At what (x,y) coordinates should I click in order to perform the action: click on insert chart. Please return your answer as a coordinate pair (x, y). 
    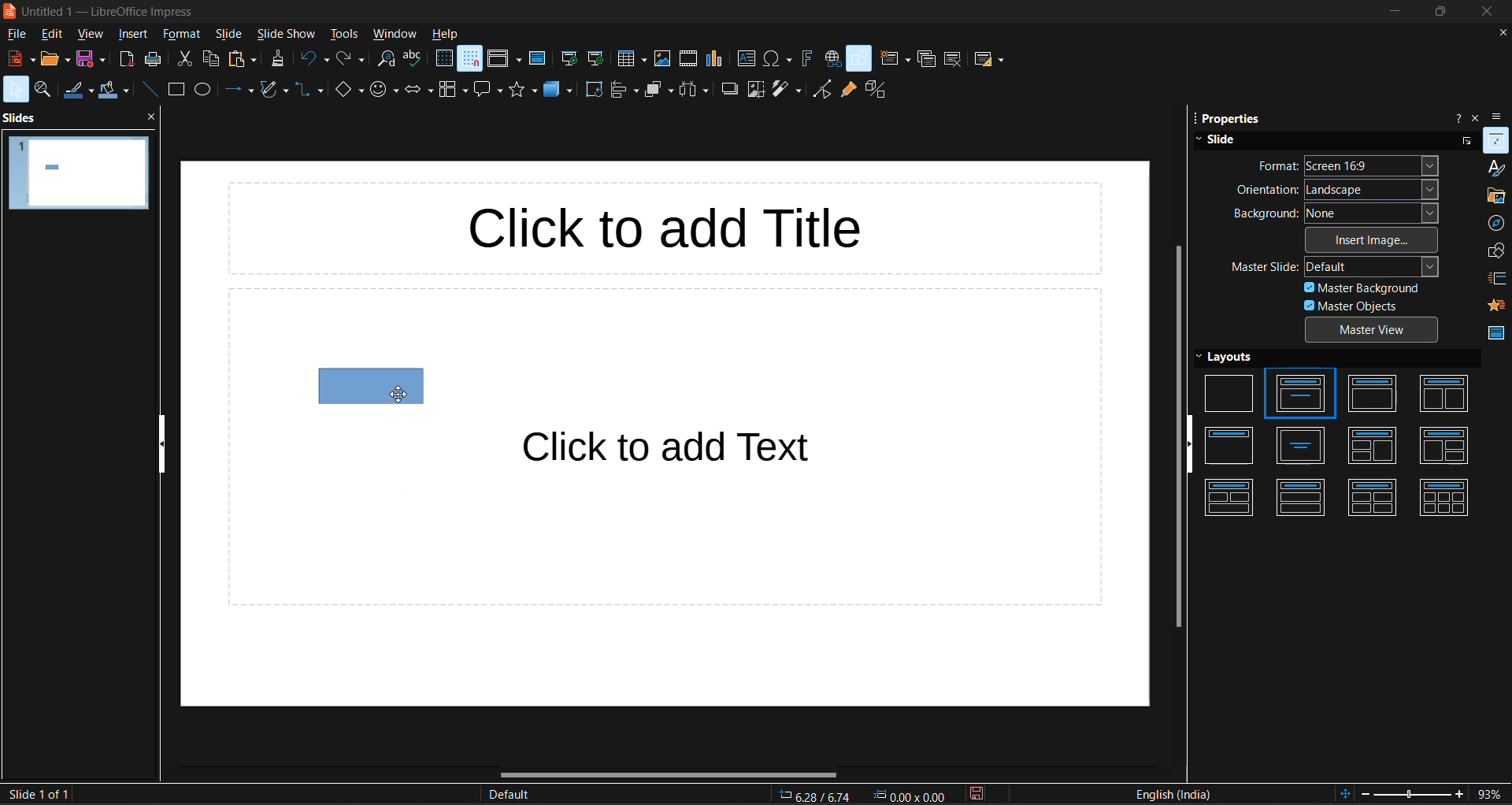
    Looking at the image, I should click on (716, 57).